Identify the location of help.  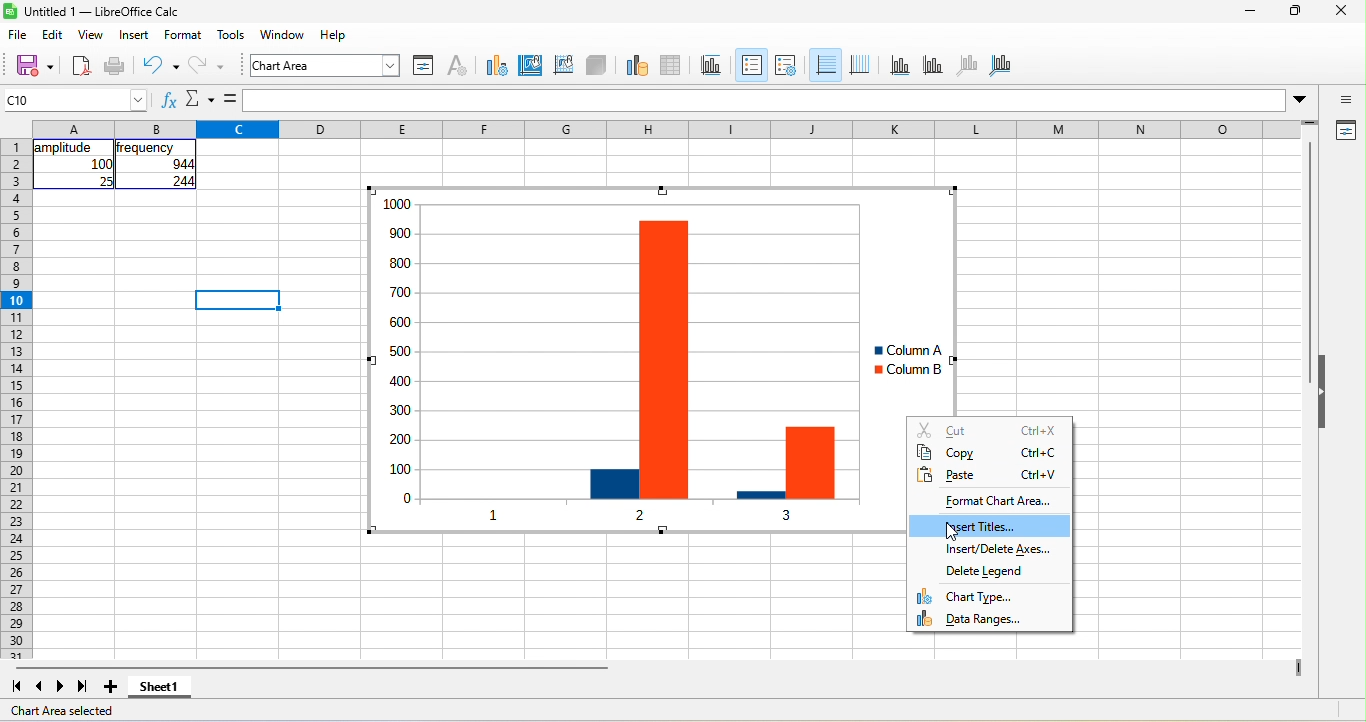
(334, 34).